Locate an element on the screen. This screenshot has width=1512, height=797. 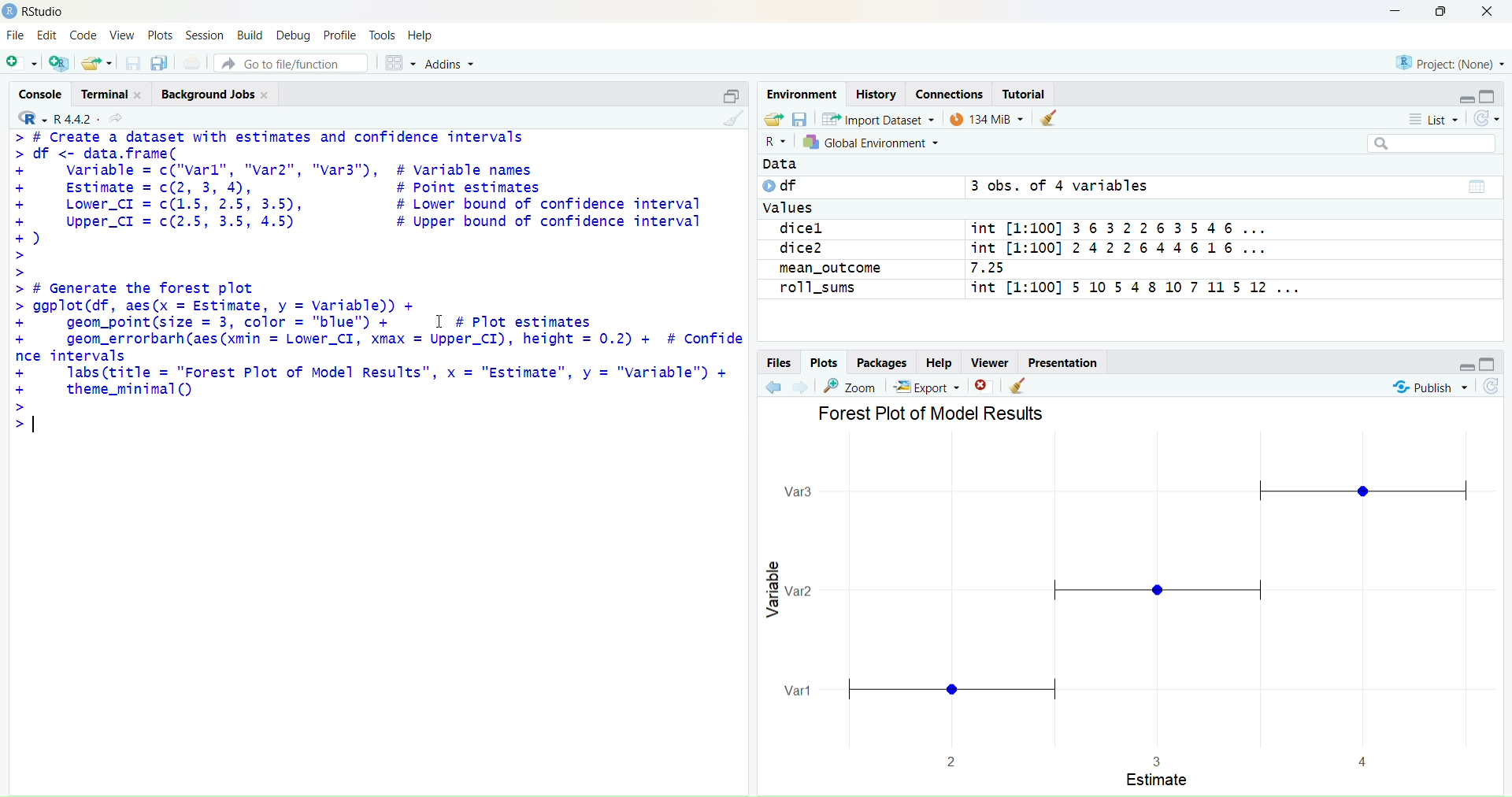
save current document is located at coordinates (132, 61).